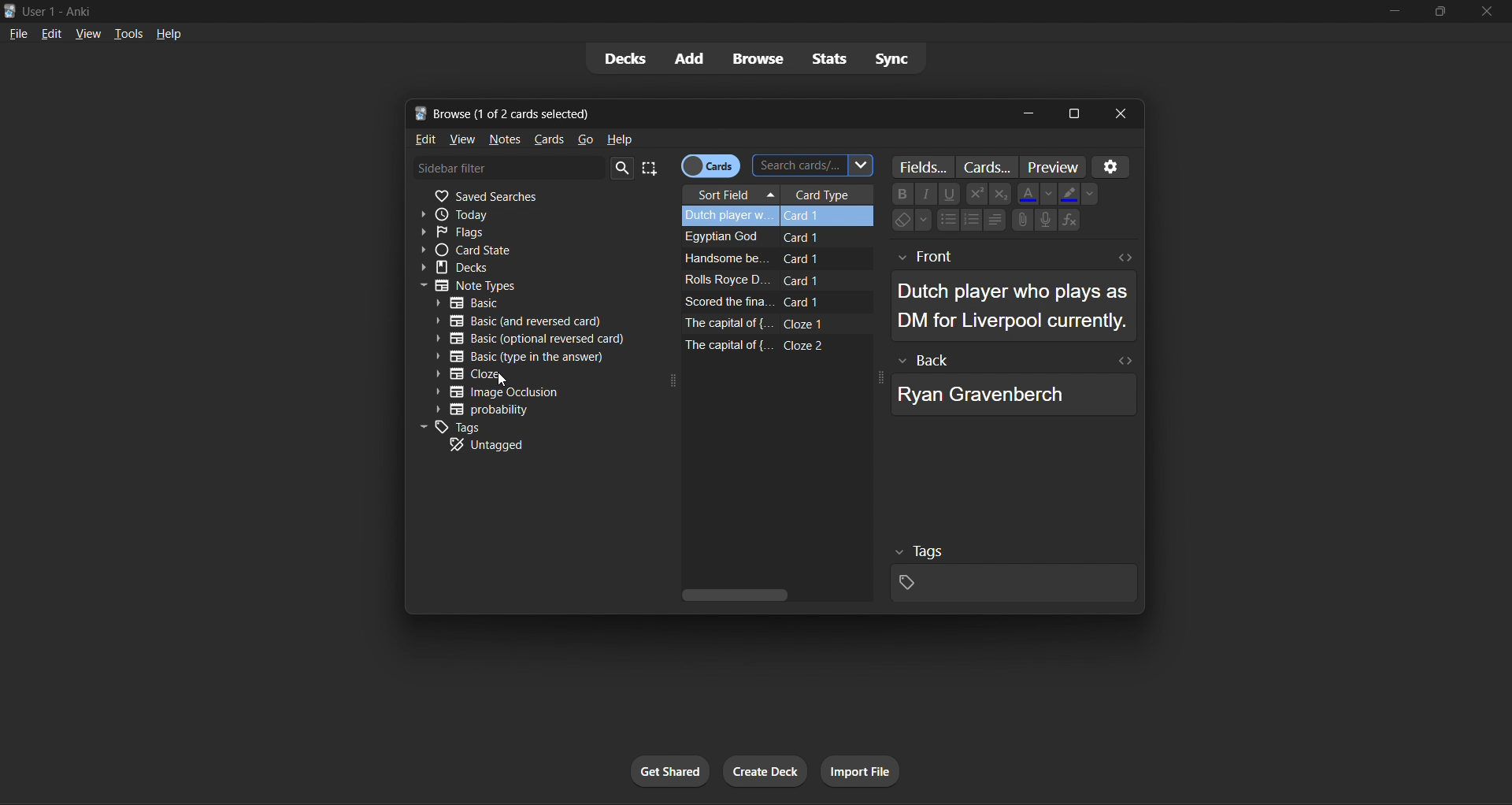 This screenshot has height=805, width=1512. I want to click on stats, so click(828, 60).